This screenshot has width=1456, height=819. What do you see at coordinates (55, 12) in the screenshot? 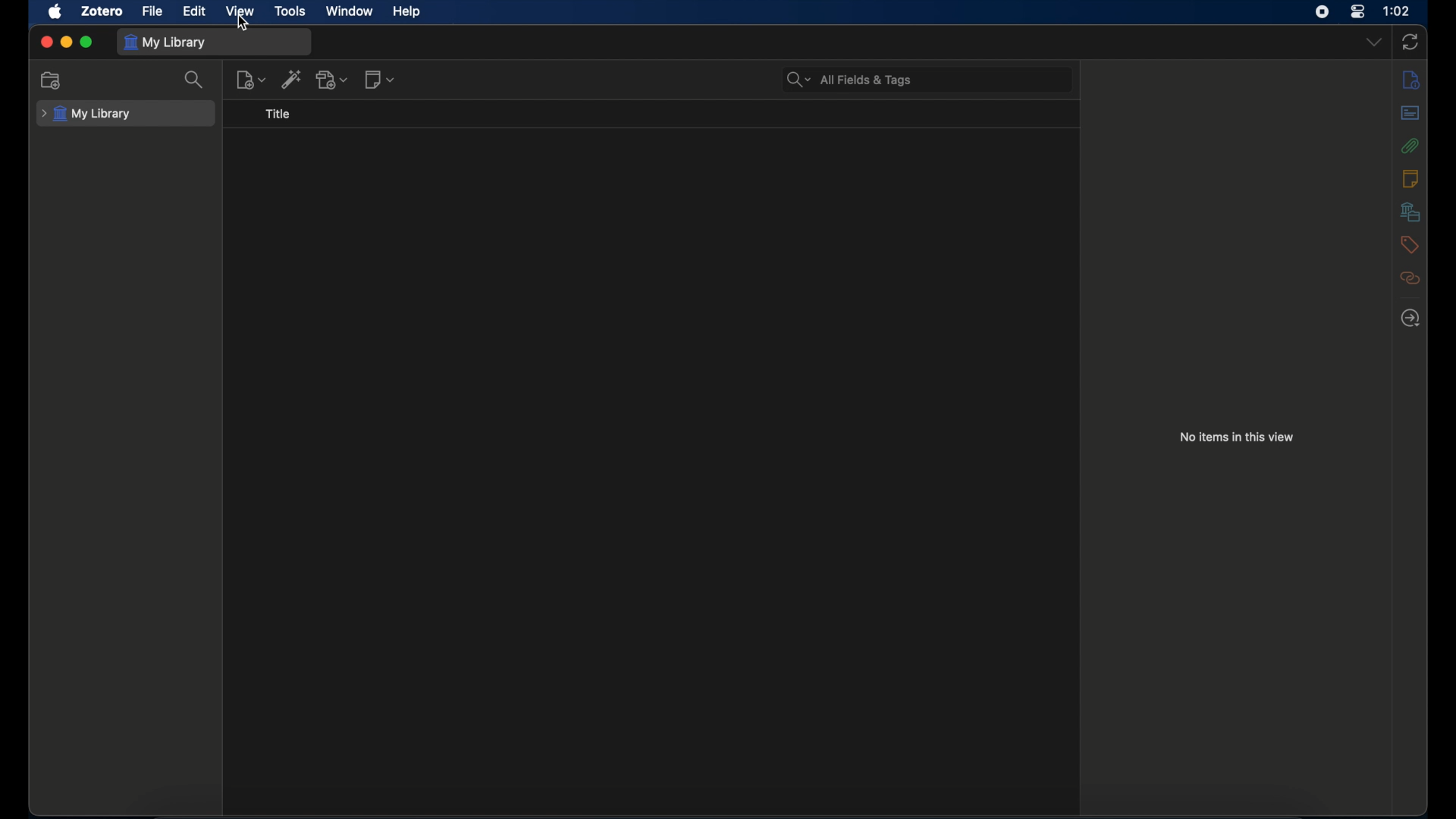
I see `apple` at bounding box center [55, 12].